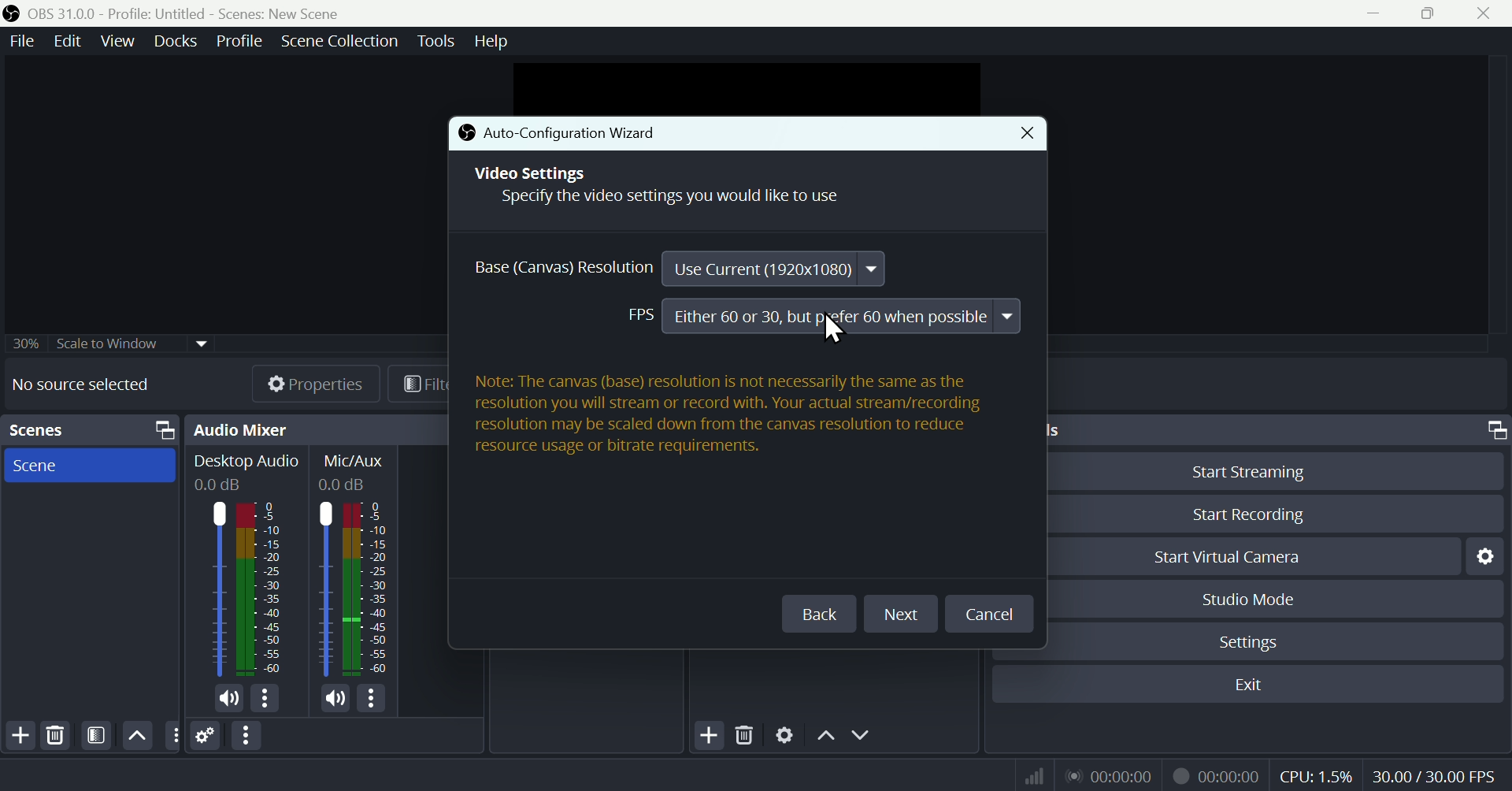 This screenshot has width=1512, height=791. Describe the element at coordinates (229, 699) in the screenshot. I see `mic` at that location.